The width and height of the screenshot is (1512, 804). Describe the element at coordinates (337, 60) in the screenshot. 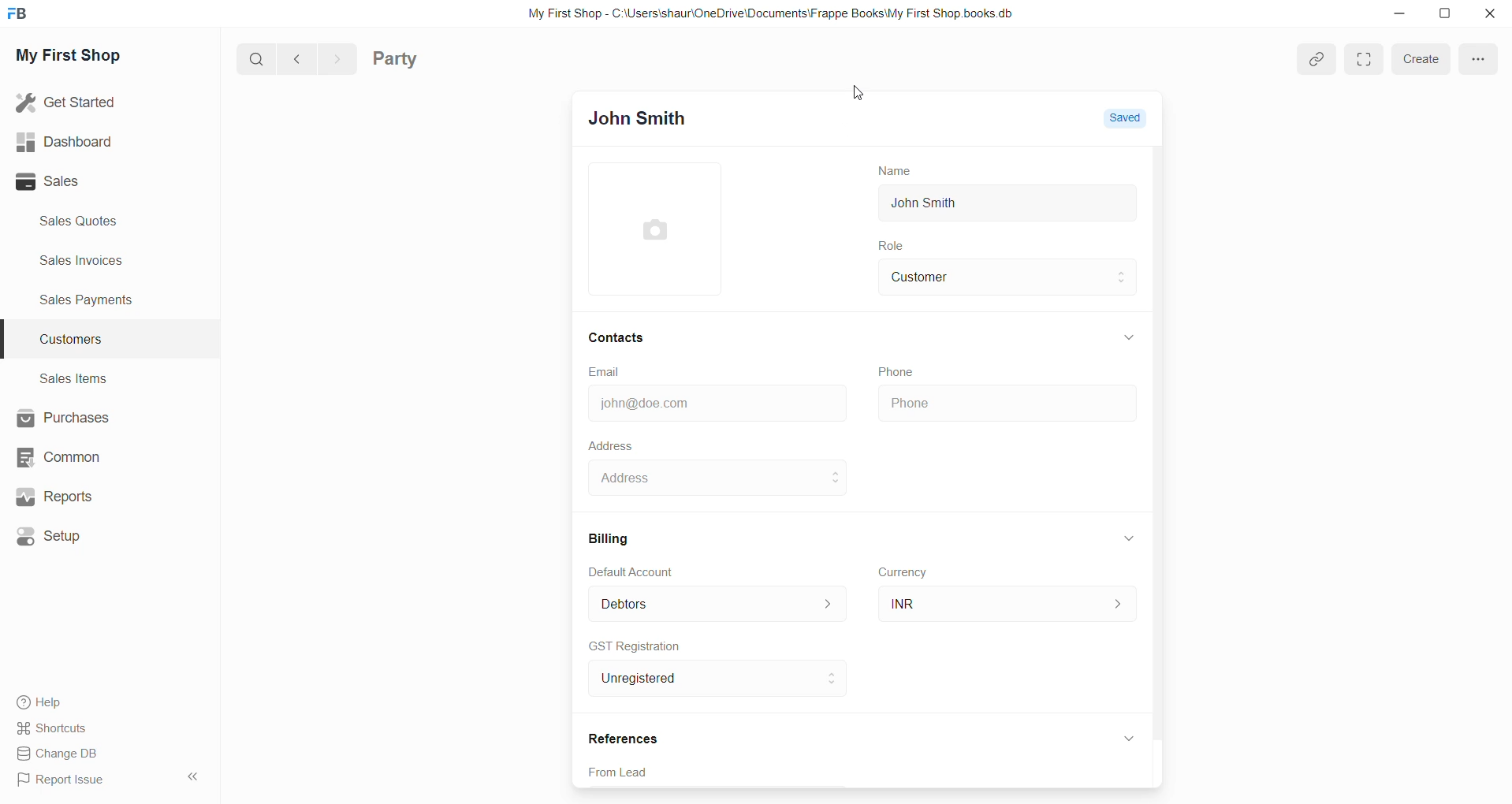

I see `go forward` at that location.